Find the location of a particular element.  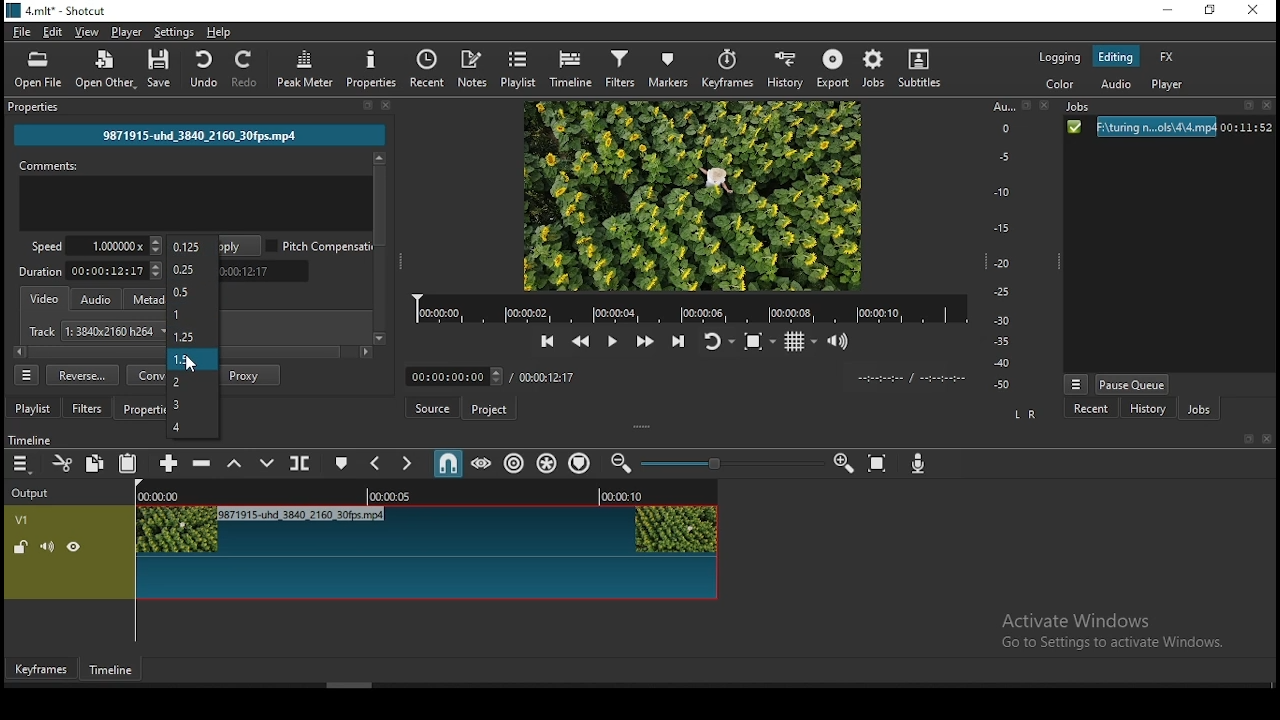

close is located at coordinates (1041, 106).